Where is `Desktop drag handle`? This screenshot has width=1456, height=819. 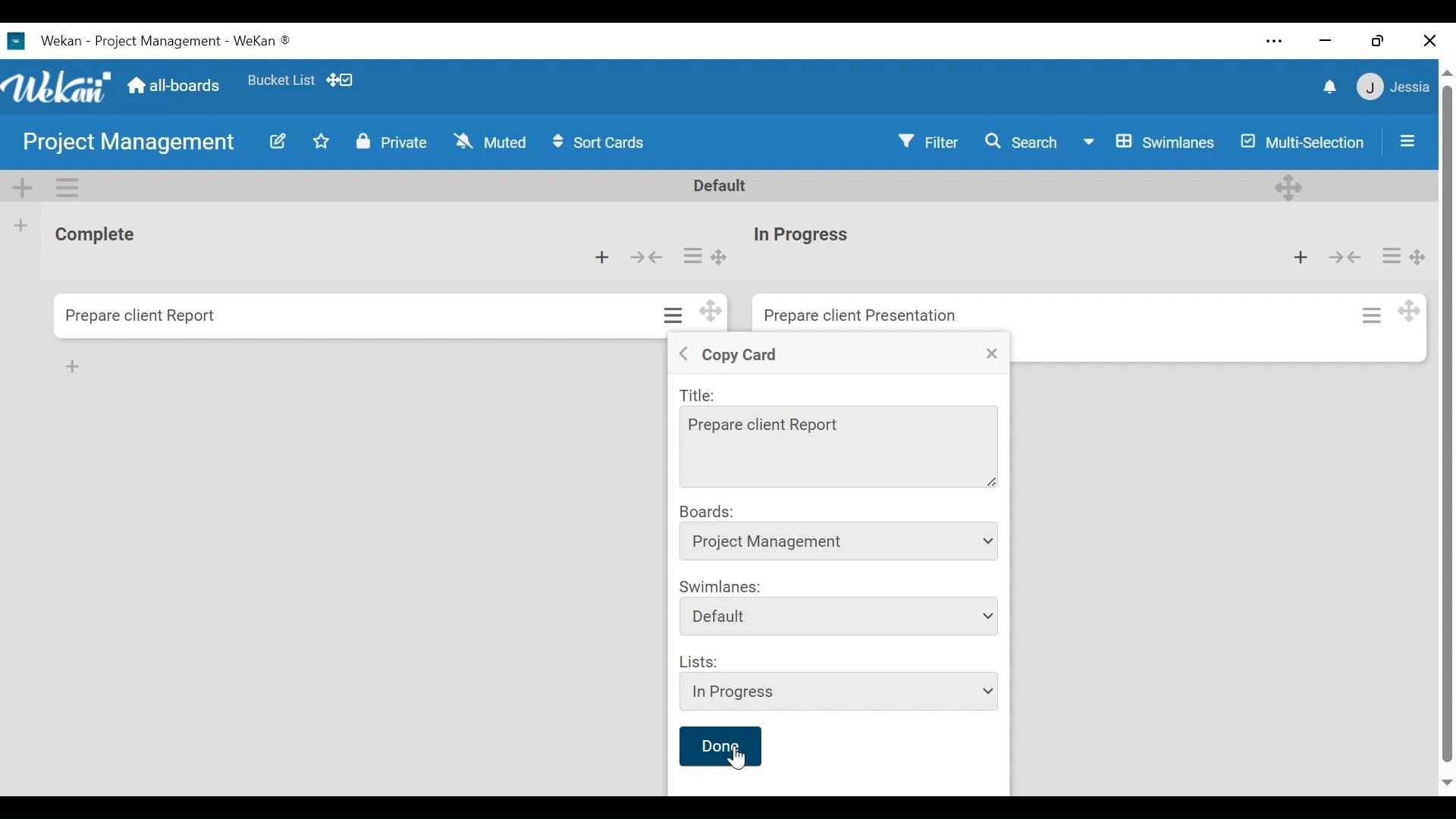 Desktop drag handle is located at coordinates (1413, 311).